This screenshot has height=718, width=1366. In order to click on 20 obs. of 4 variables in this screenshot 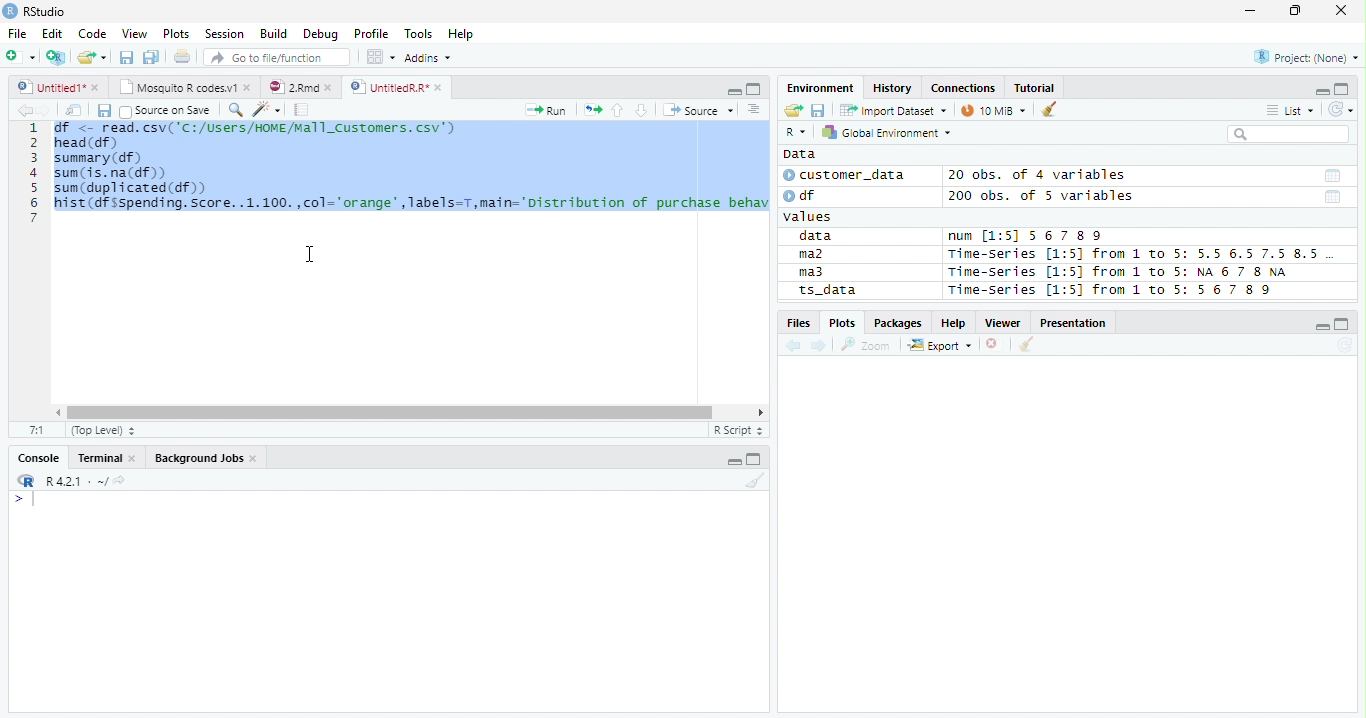, I will do `click(1038, 177)`.